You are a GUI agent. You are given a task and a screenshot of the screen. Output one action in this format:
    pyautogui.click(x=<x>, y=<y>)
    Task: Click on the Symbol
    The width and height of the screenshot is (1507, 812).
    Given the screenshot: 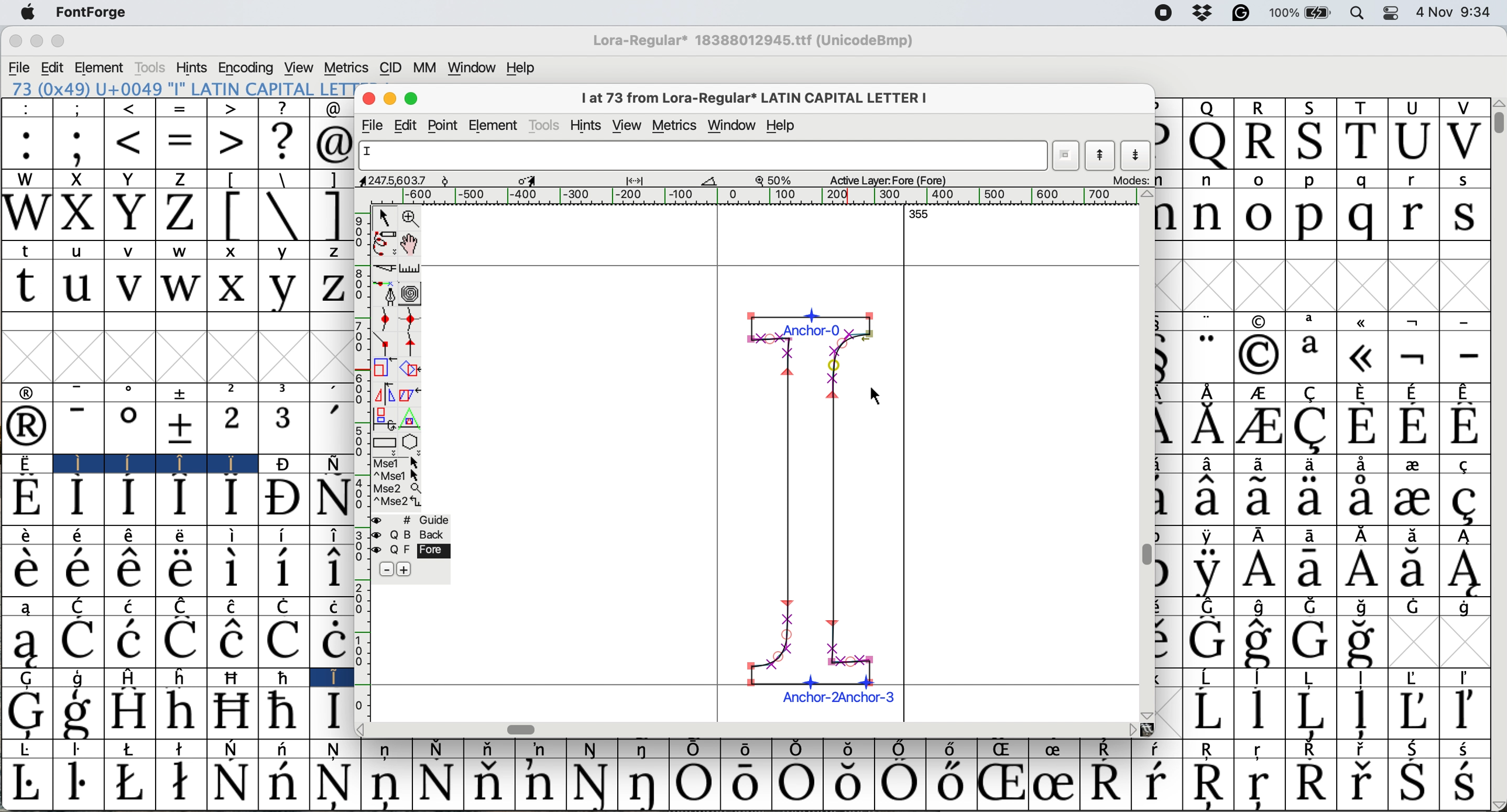 What is the action you would take?
    pyautogui.click(x=330, y=571)
    